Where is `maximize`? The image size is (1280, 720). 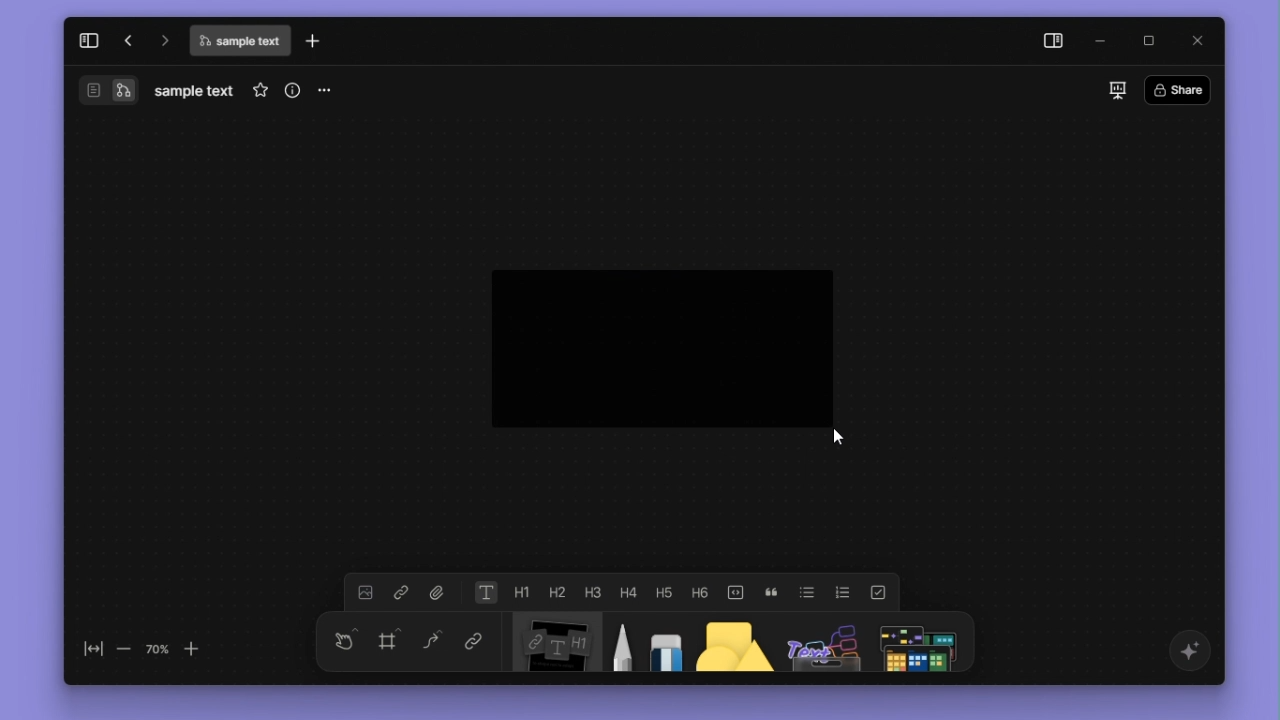 maximize is located at coordinates (1151, 39).